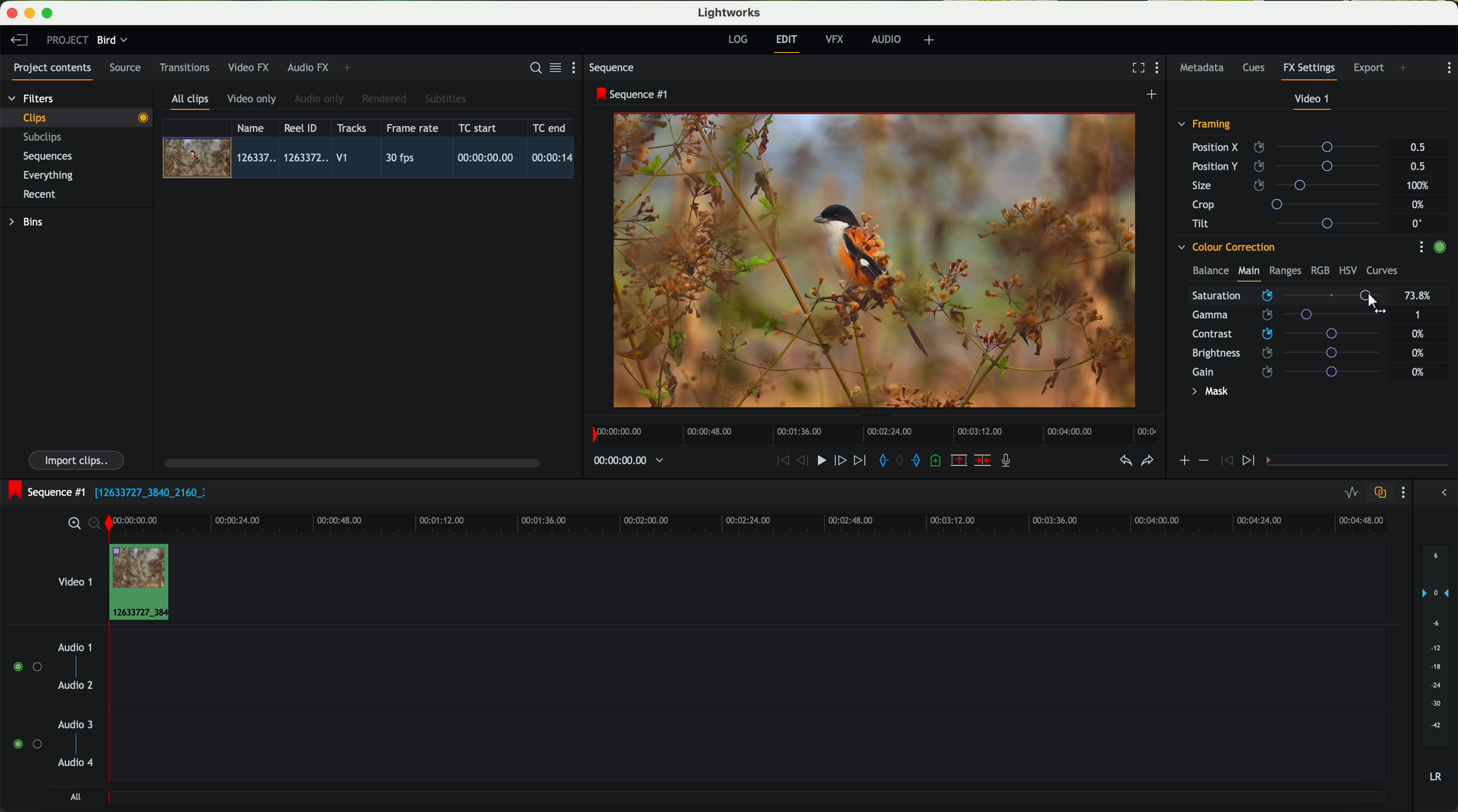  Describe the element at coordinates (1153, 95) in the screenshot. I see `create a new sequence` at that location.